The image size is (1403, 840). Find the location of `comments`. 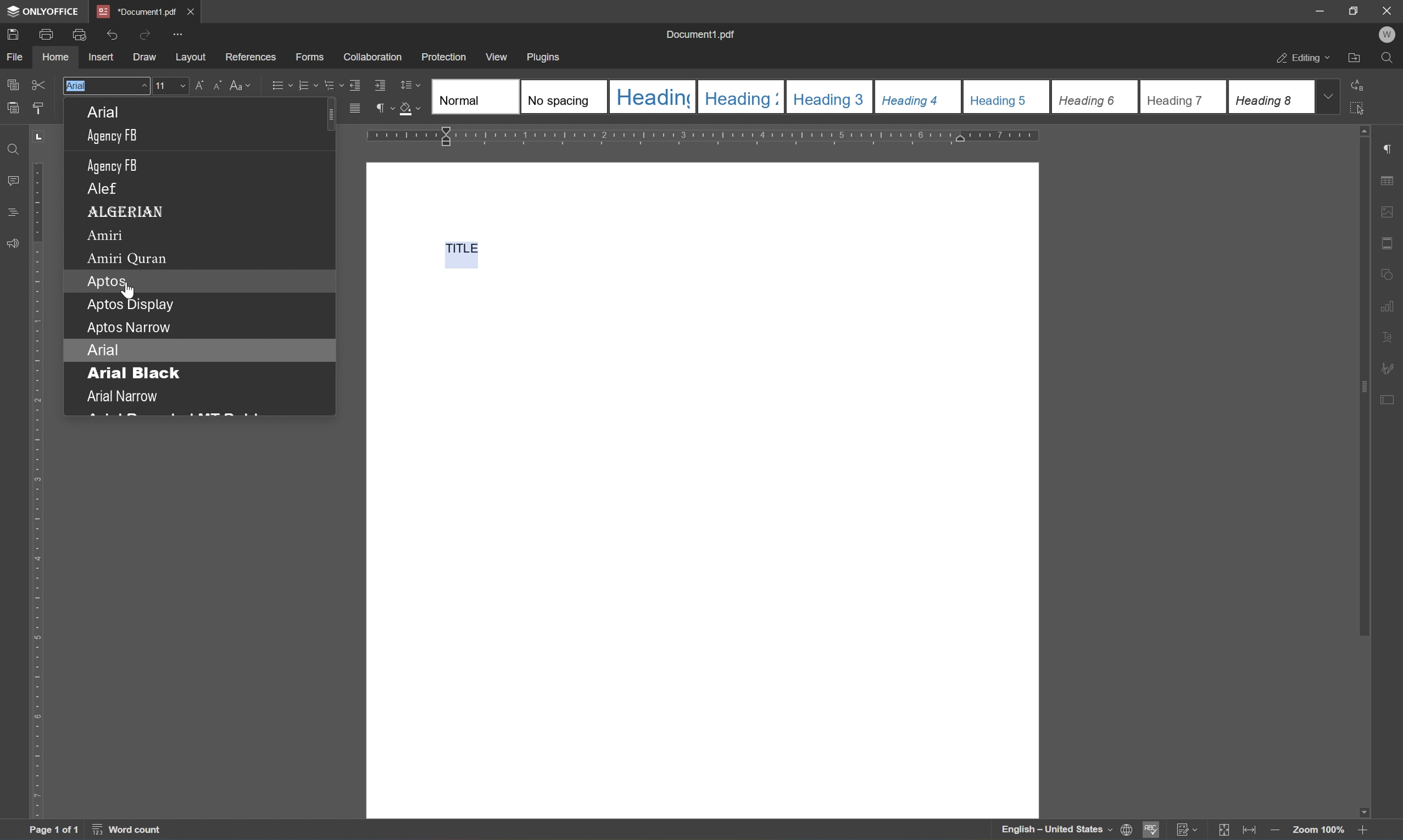

comments is located at coordinates (12, 212).